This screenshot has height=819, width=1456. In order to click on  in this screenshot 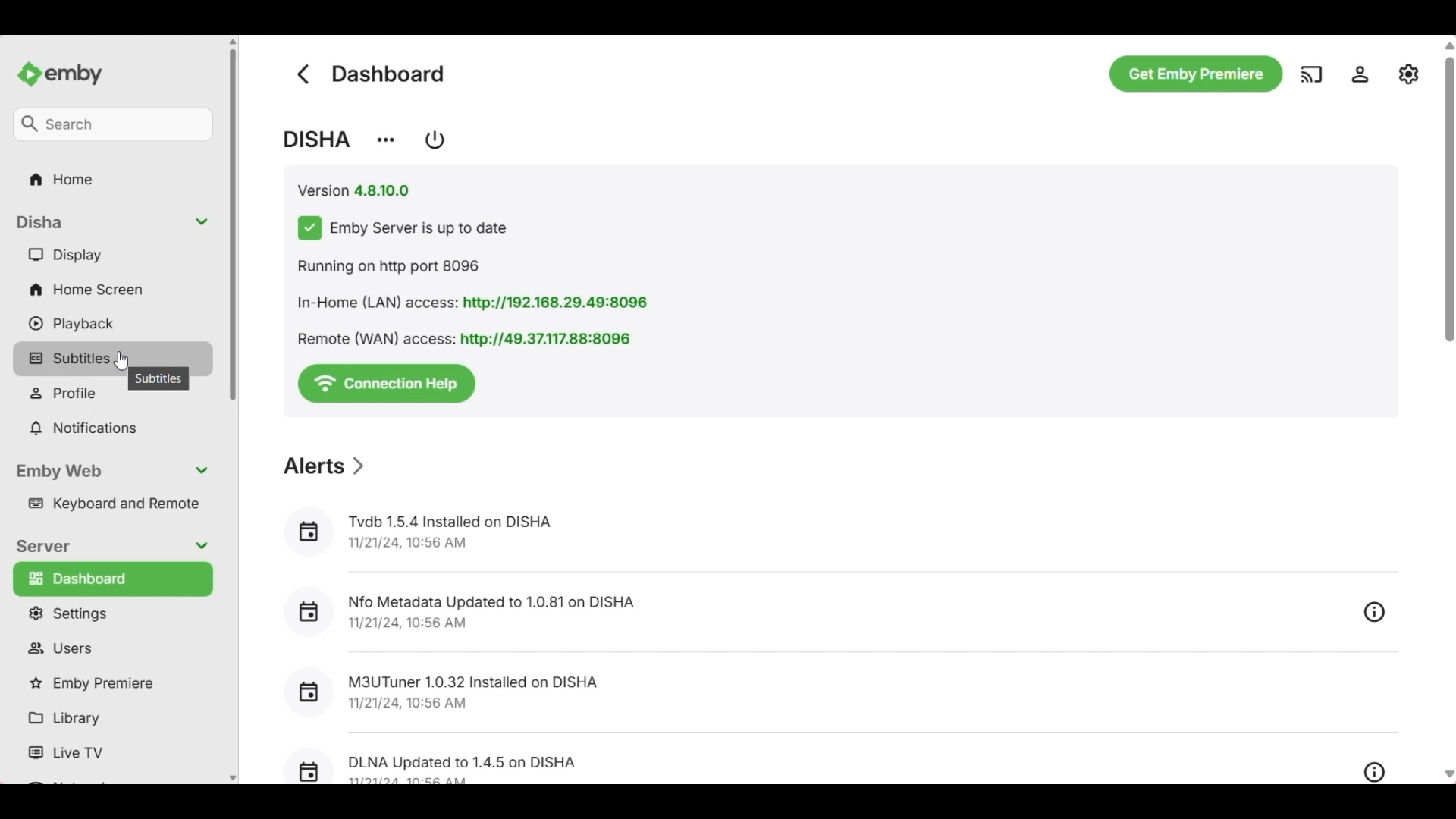, I will do `click(760, 616)`.